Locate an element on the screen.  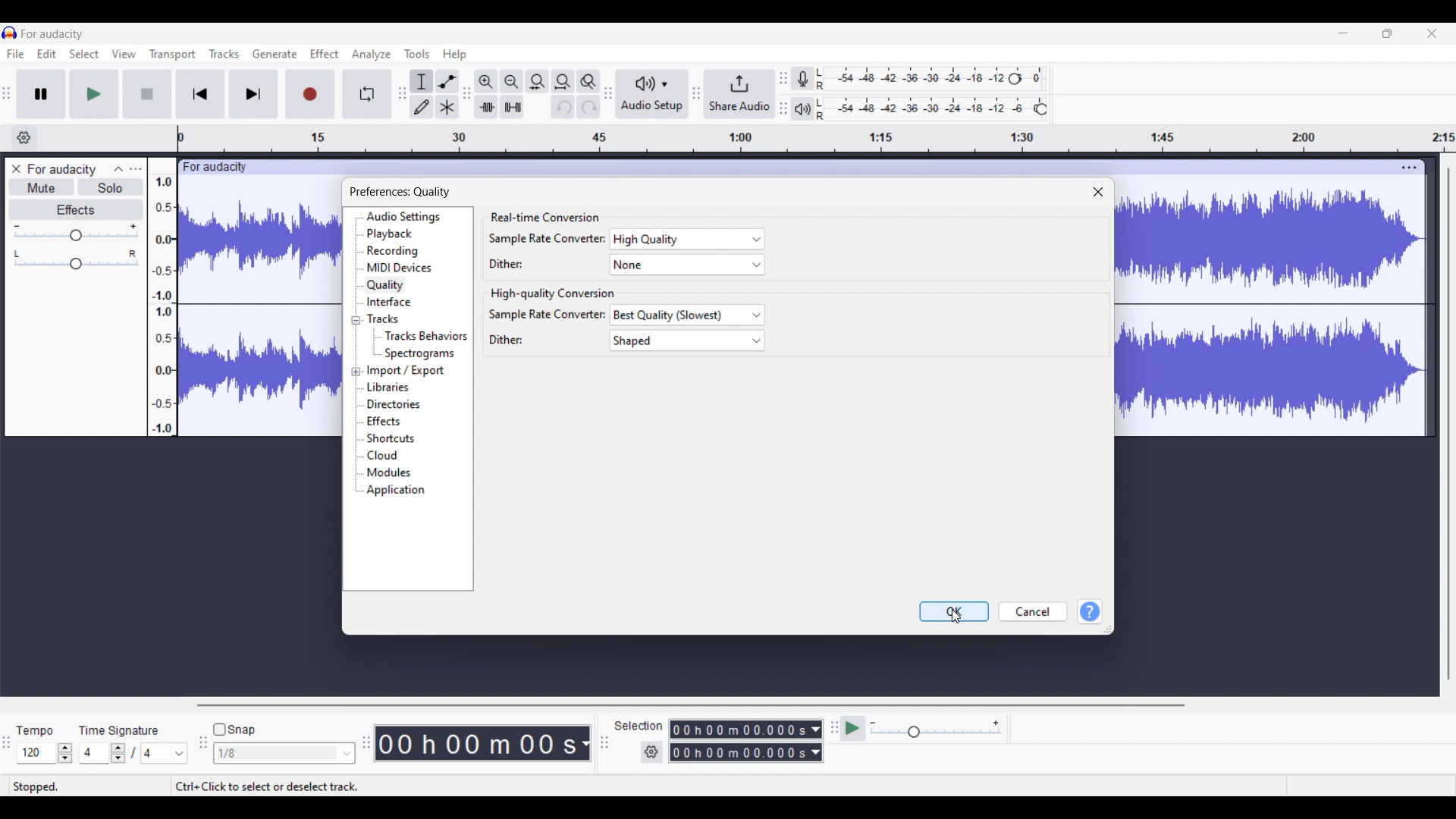
Audio setup is located at coordinates (653, 94).